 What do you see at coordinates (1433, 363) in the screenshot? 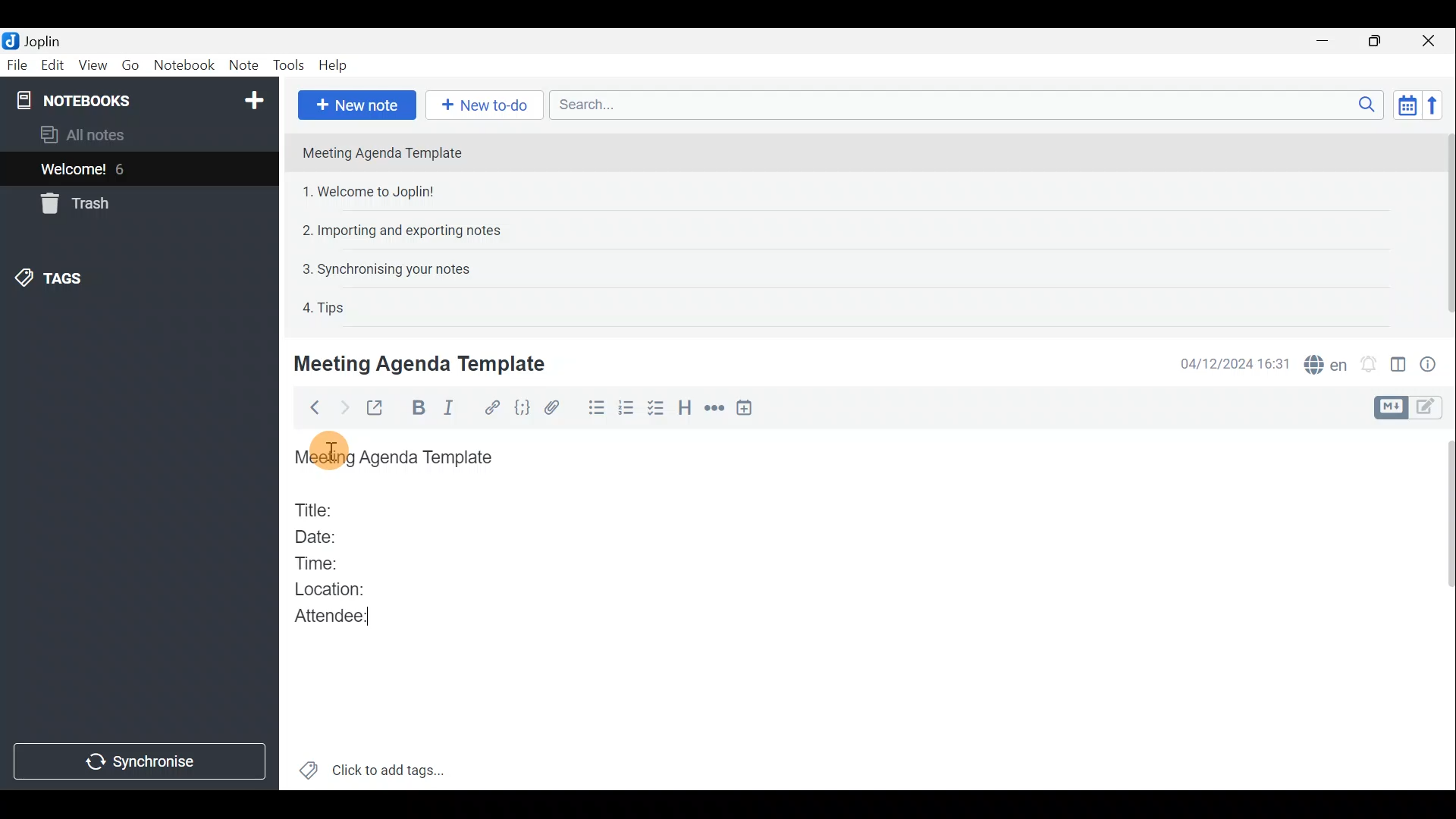
I see `Note properties` at bounding box center [1433, 363].